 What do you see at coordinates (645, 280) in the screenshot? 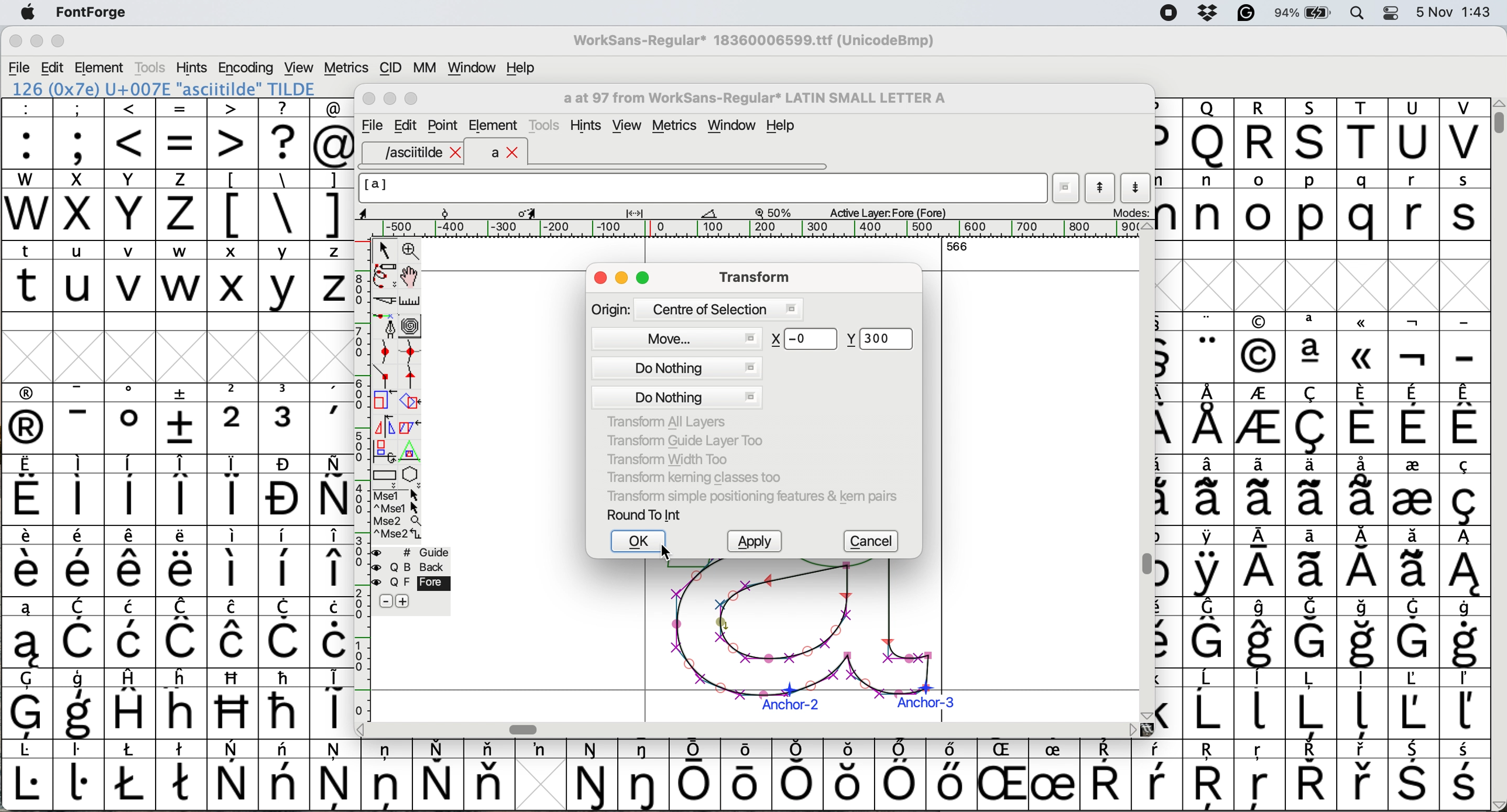
I see `maximise` at bounding box center [645, 280].